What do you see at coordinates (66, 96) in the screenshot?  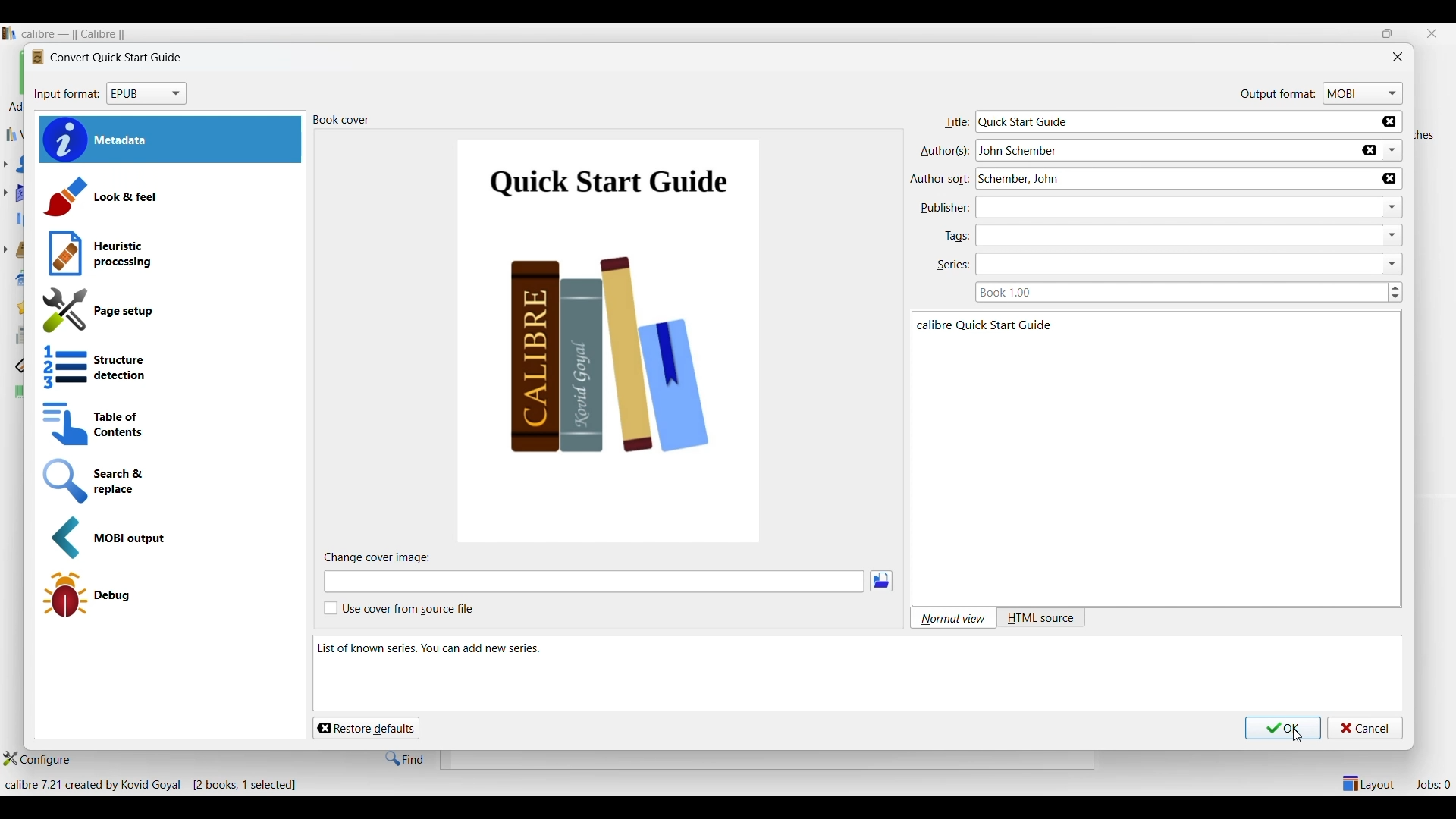 I see `input format` at bounding box center [66, 96].